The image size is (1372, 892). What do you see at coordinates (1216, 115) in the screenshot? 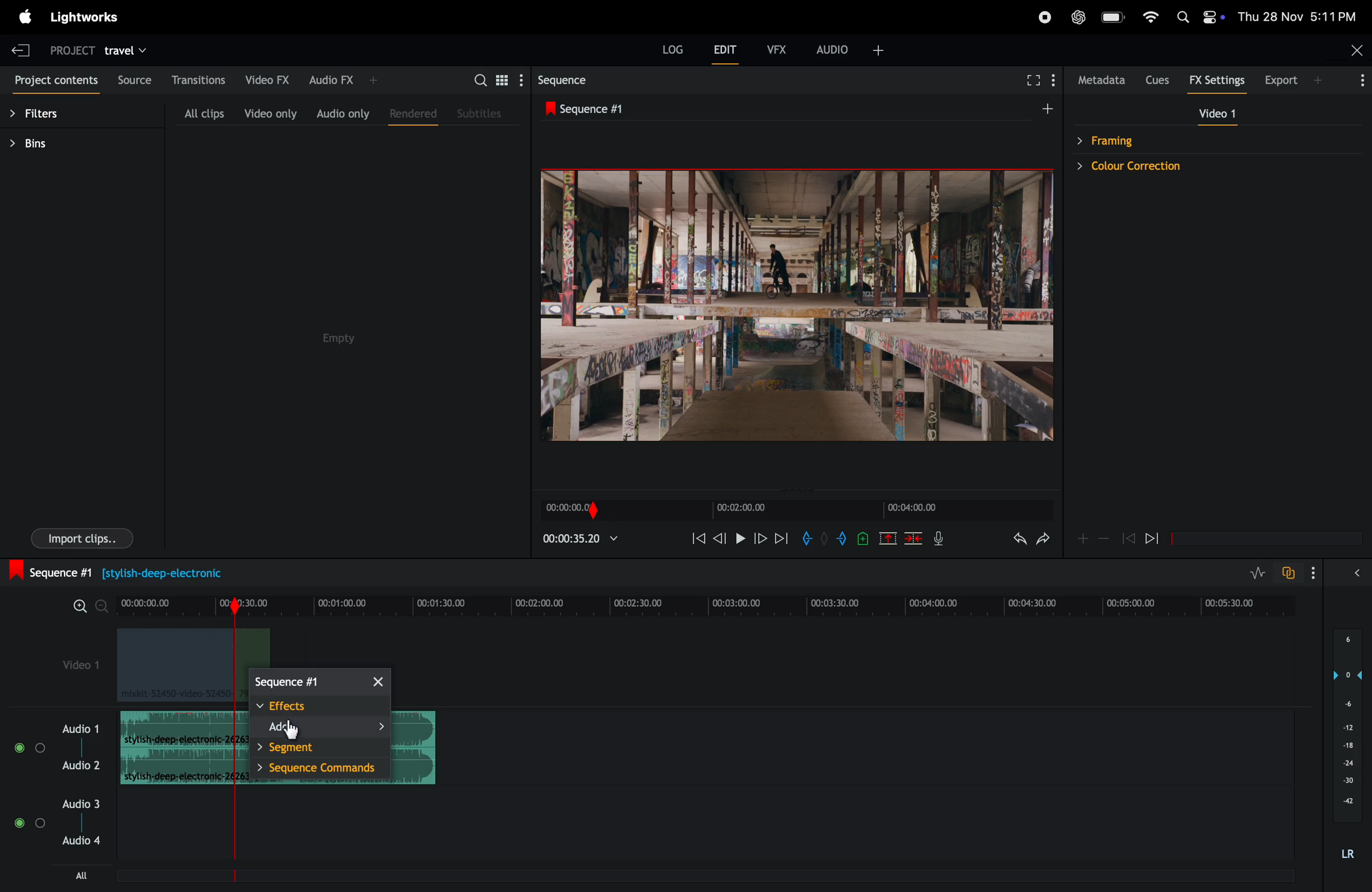
I see `video` at bounding box center [1216, 115].